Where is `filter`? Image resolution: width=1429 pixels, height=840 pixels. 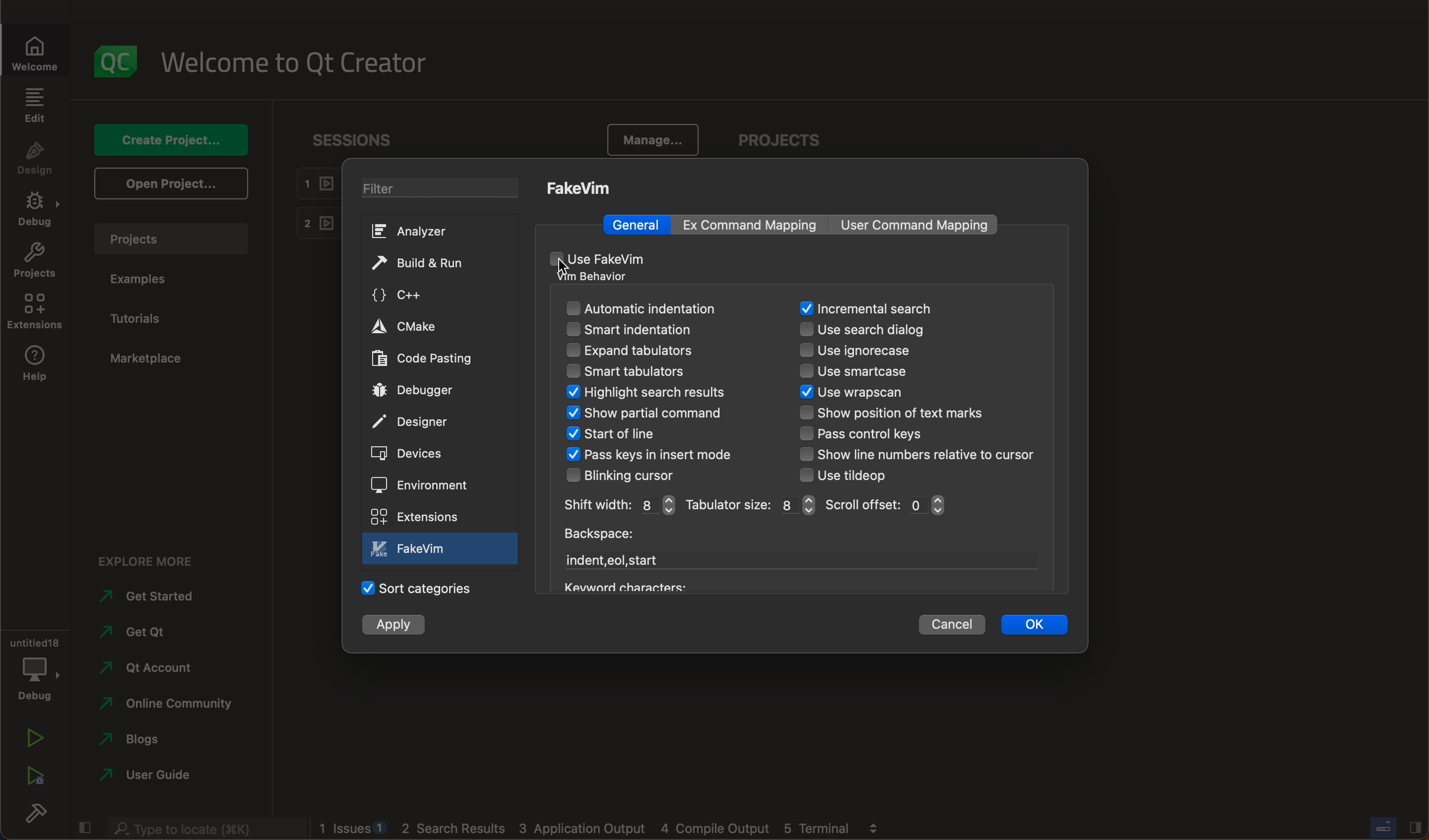
filter is located at coordinates (443, 190).